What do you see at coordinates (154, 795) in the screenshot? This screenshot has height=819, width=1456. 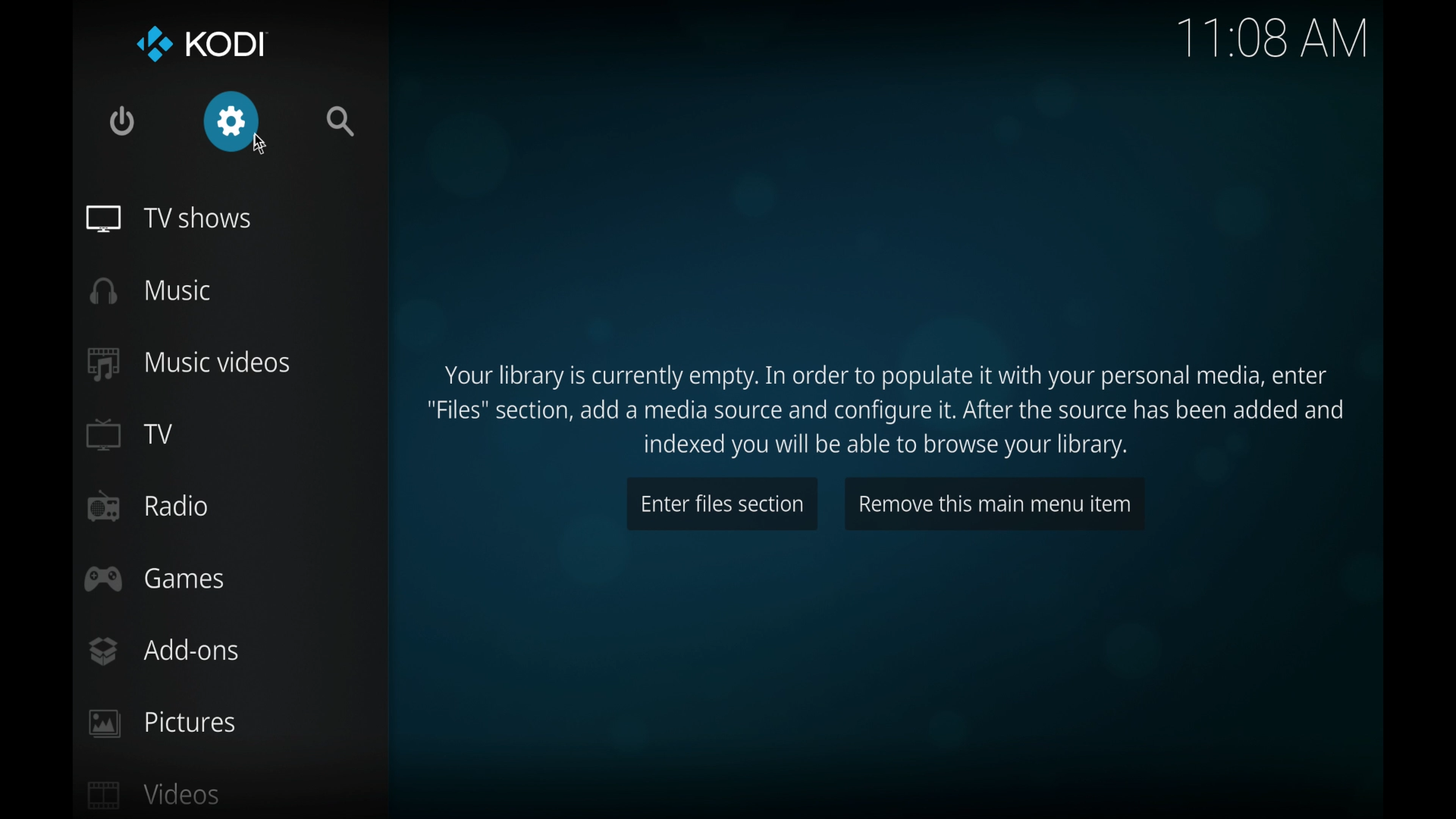 I see `videos` at bounding box center [154, 795].